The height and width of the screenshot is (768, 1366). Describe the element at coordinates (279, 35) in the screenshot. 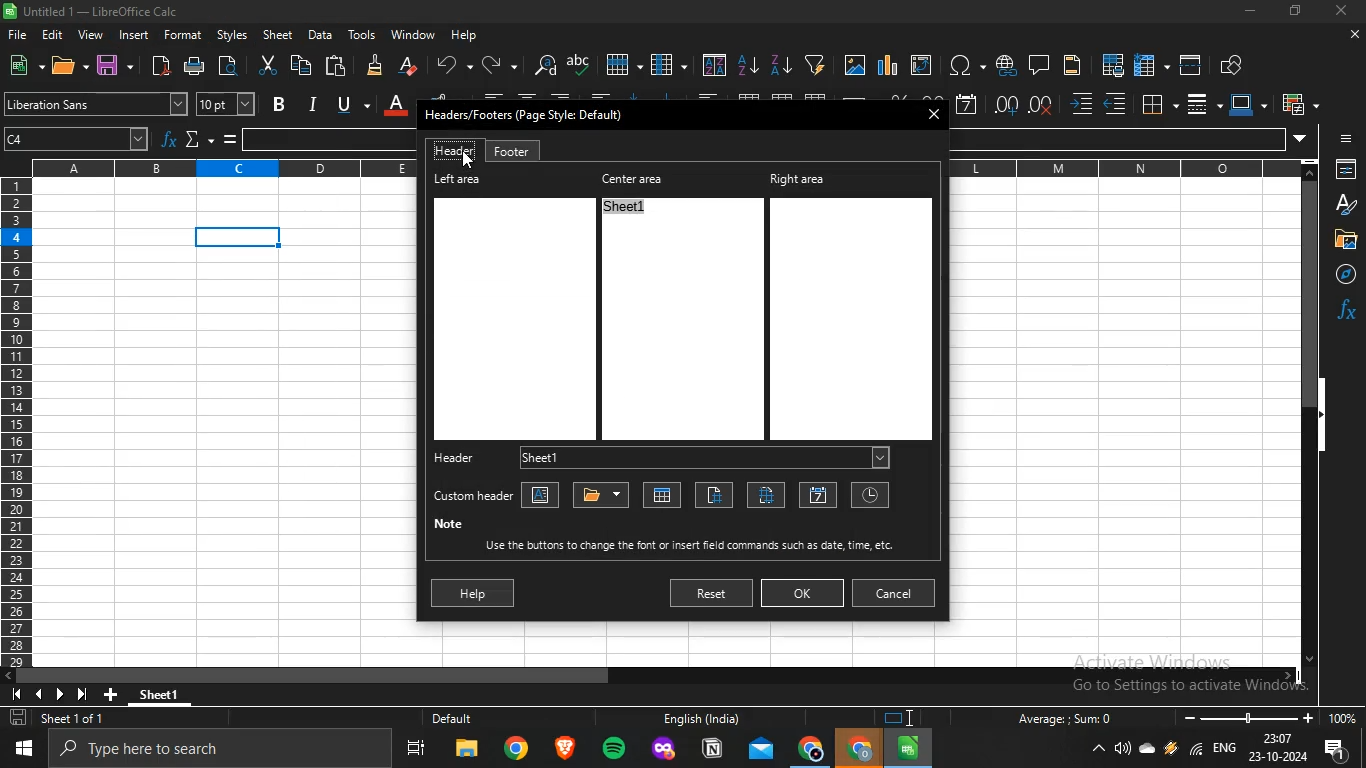

I see `sheet` at that location.